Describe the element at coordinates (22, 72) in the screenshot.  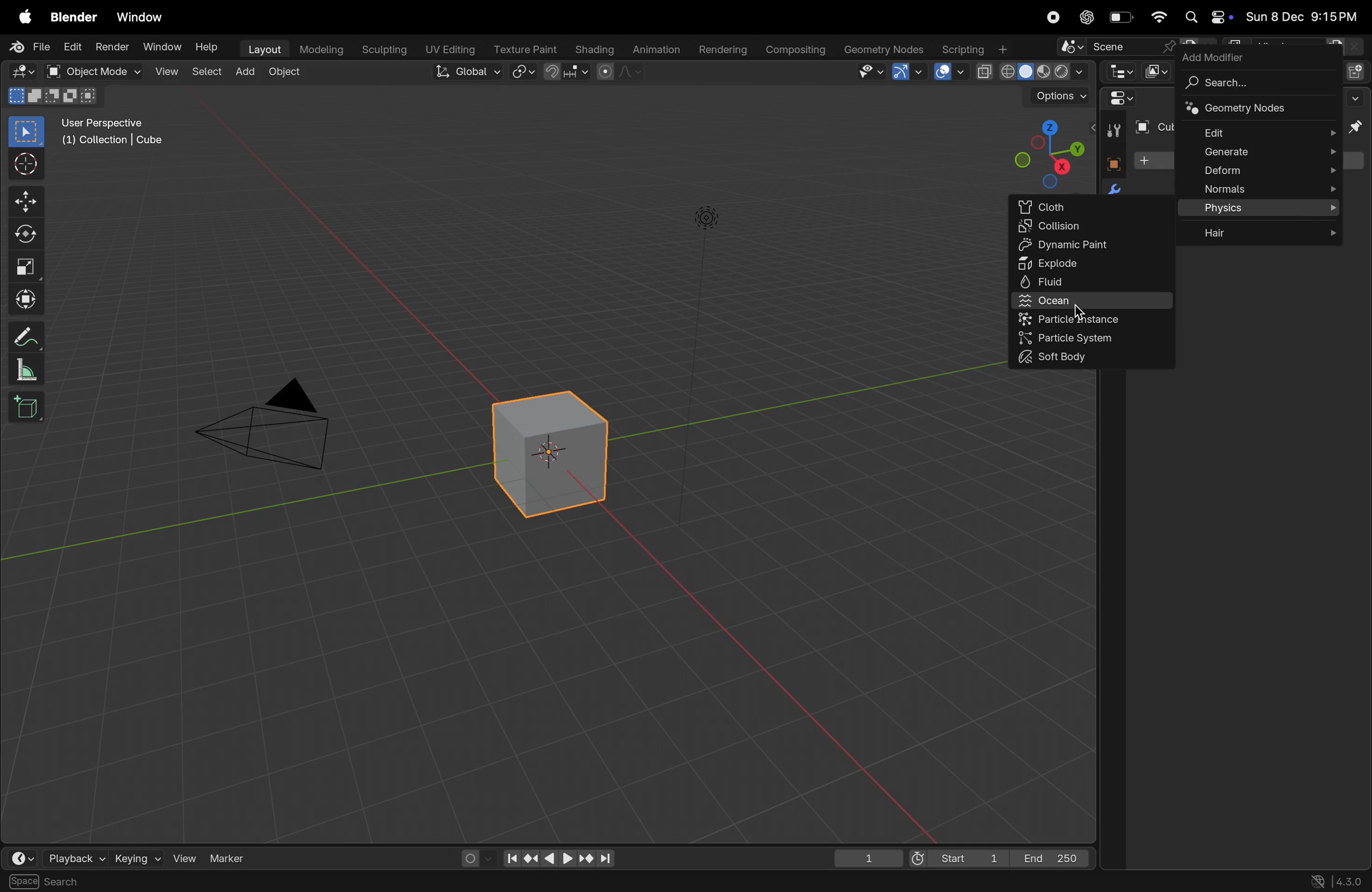
I see `editor type` at that location.